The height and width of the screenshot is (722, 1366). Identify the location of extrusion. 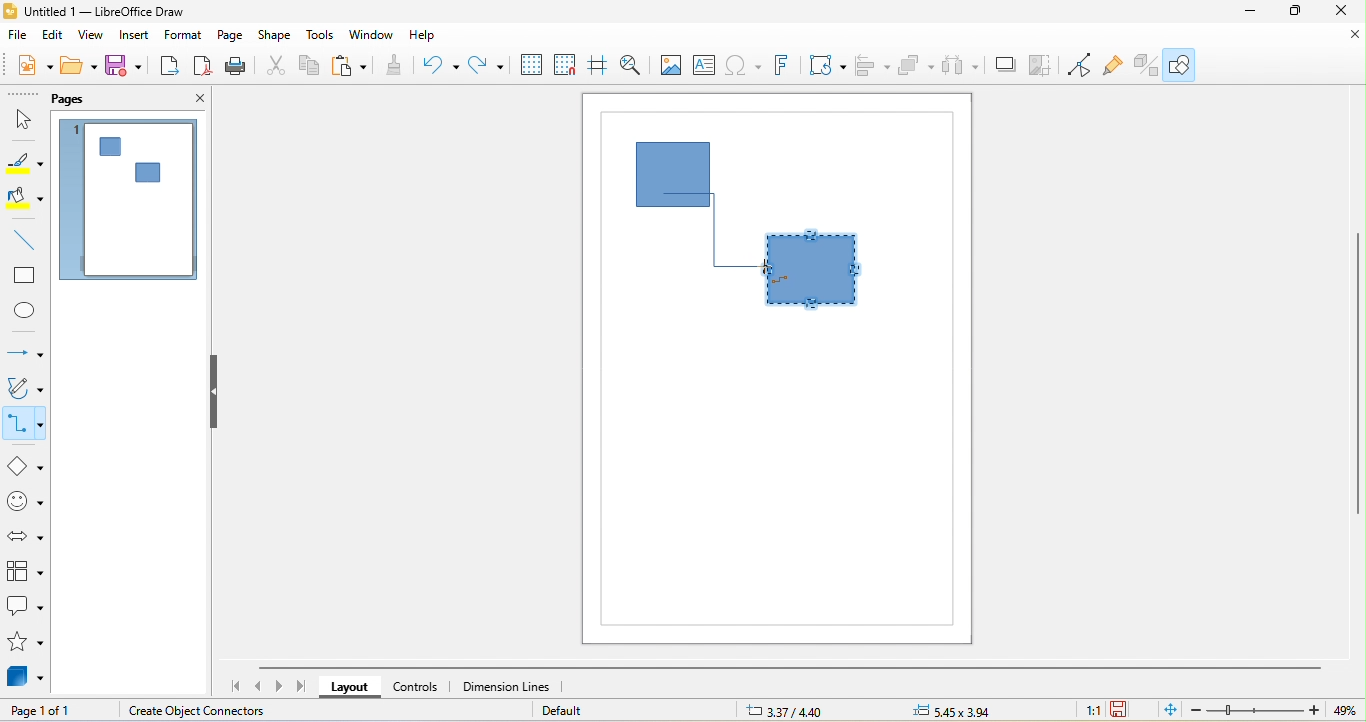
(1150, 65).